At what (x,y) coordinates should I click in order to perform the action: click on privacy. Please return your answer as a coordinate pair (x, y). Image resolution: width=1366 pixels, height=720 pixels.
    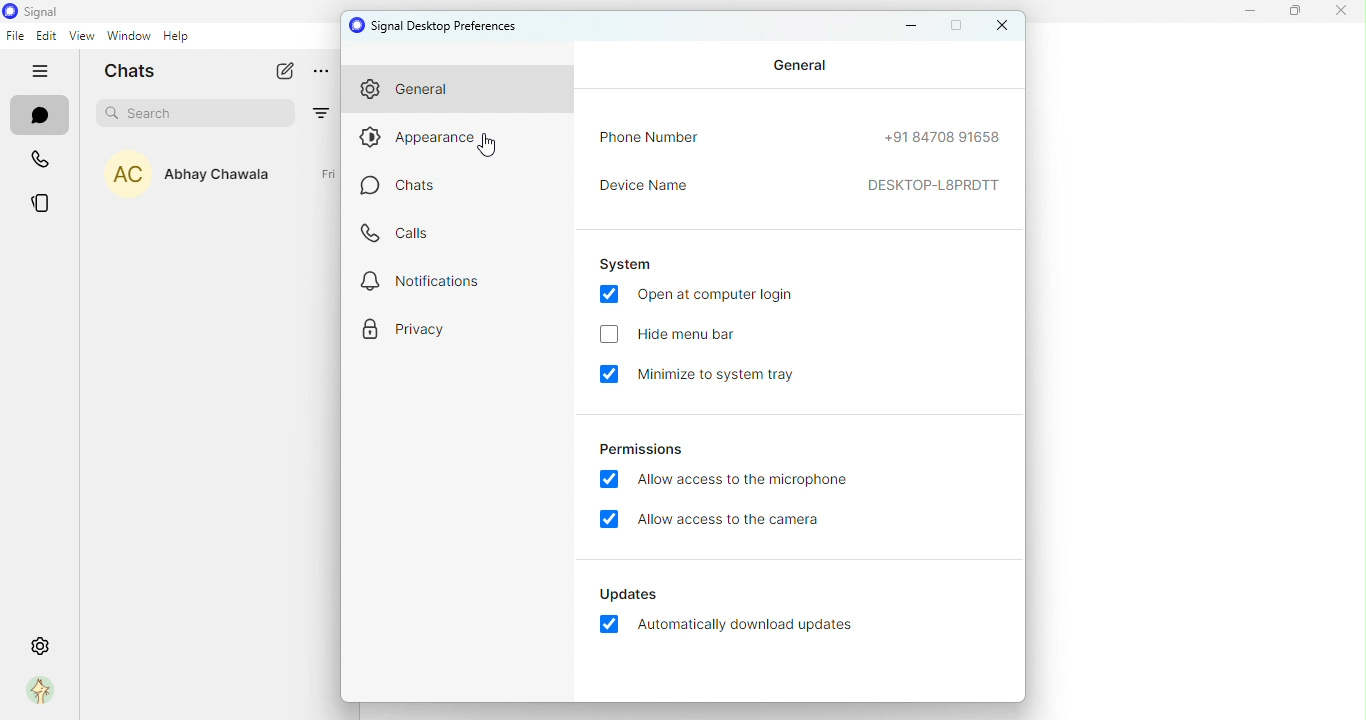
    Looking at the image, I should click on (404, 336).